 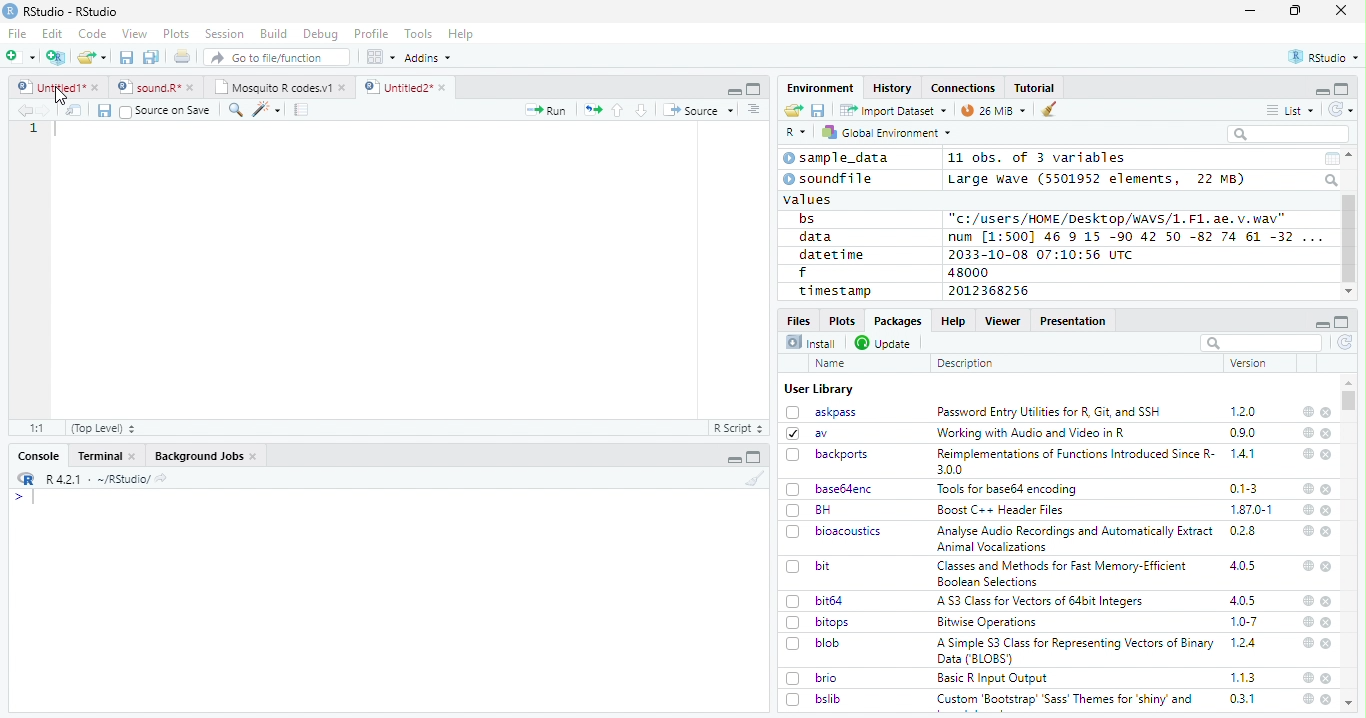 What do you see at coordinates (1328, 644) in the screenshot?
I see `close` at bounding box center [1328, 644].